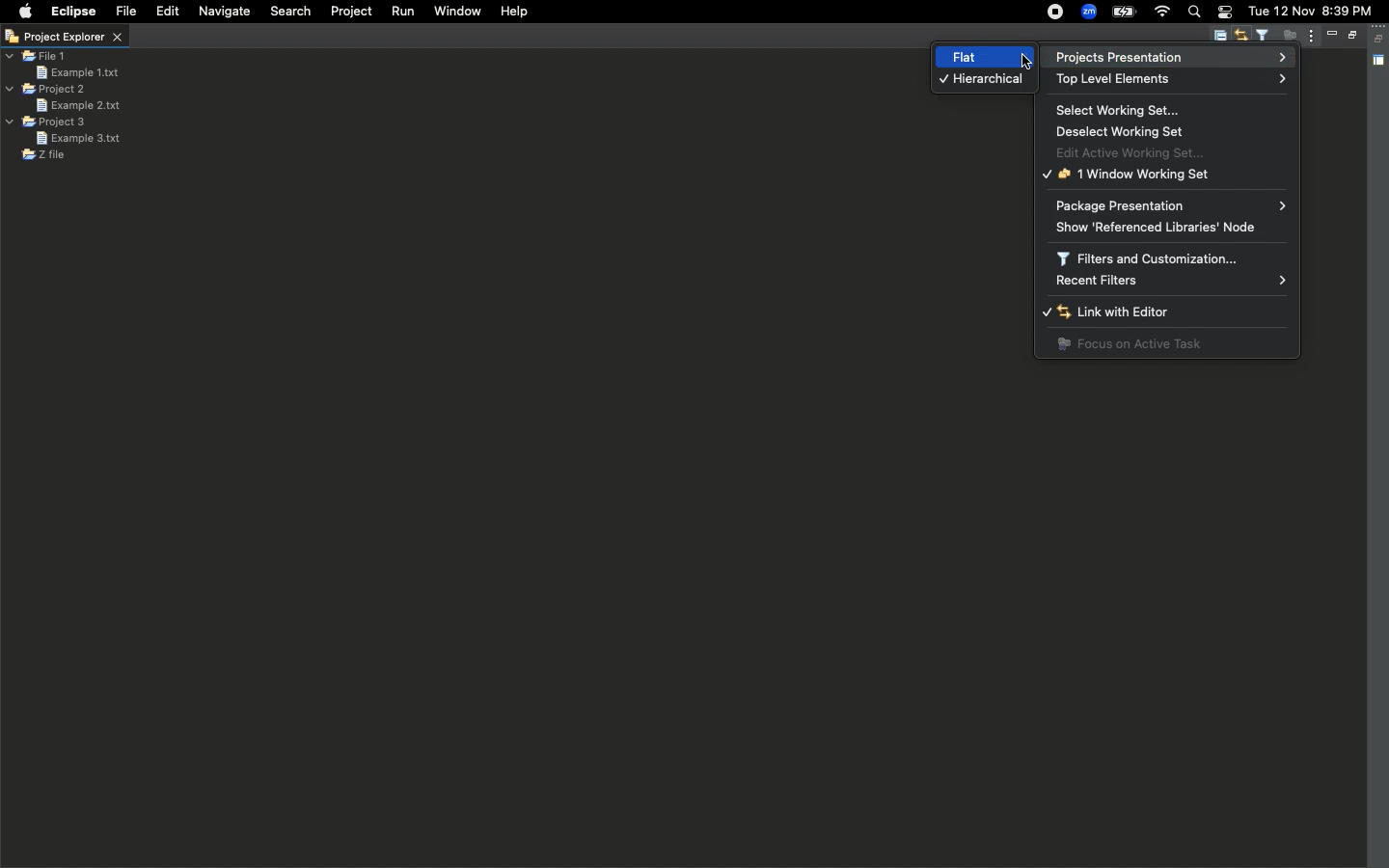  I want to click on Project explorer, so click(64, 38).